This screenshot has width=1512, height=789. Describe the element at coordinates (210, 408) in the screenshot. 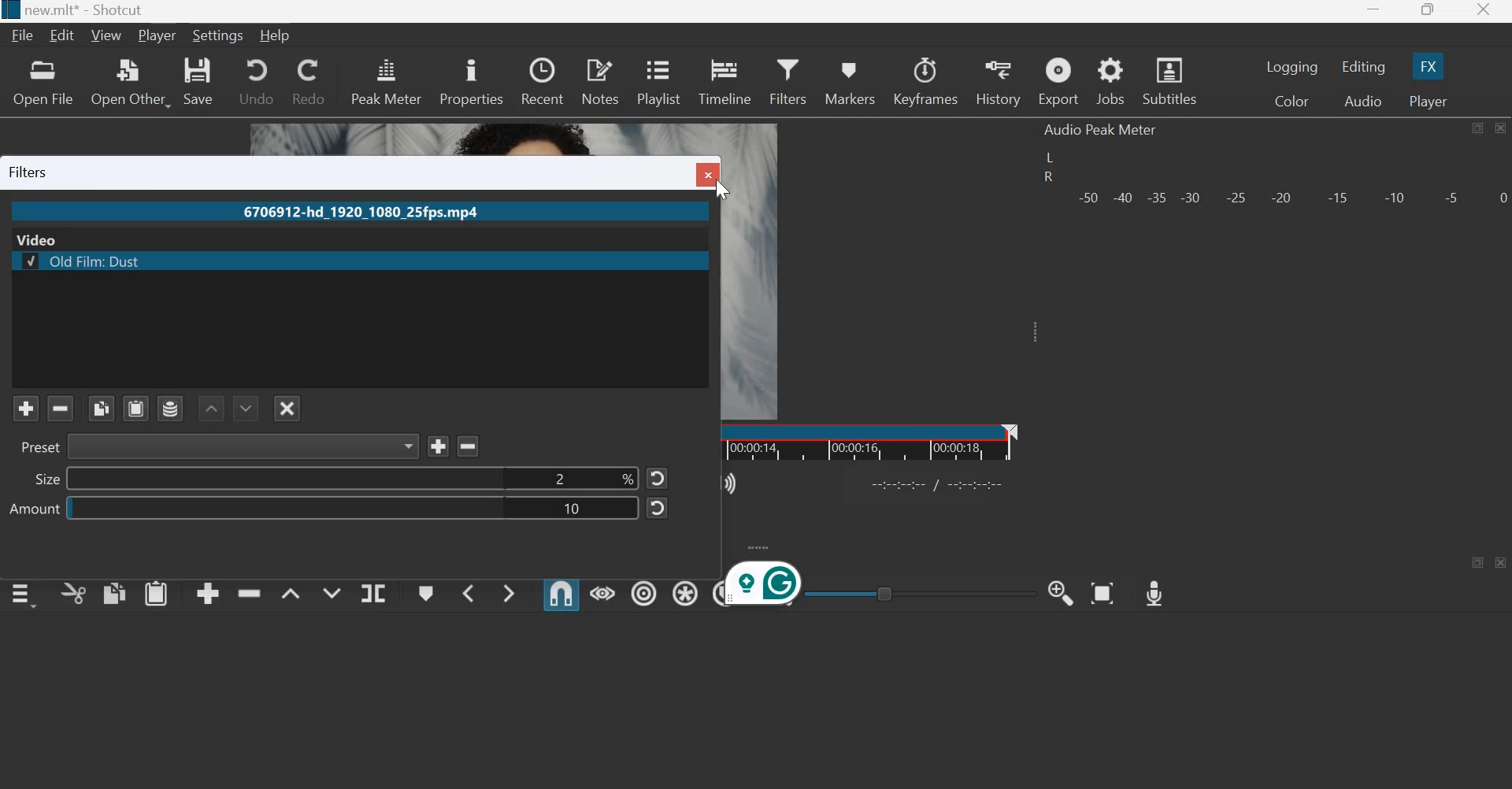

I see `Move filter up` at that location.